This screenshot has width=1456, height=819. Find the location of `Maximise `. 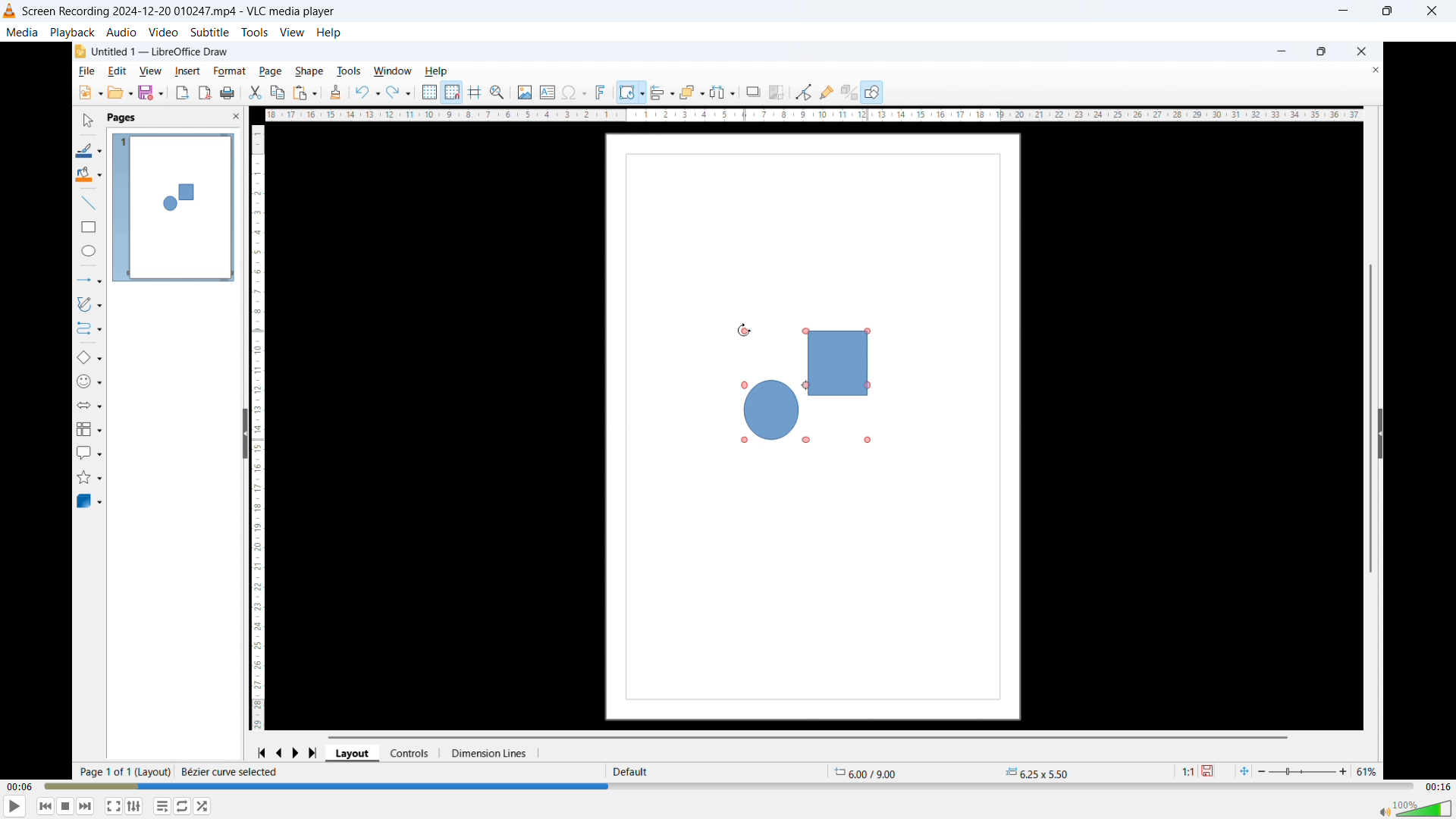

Maximise  is located at coordinates (1387, 12).